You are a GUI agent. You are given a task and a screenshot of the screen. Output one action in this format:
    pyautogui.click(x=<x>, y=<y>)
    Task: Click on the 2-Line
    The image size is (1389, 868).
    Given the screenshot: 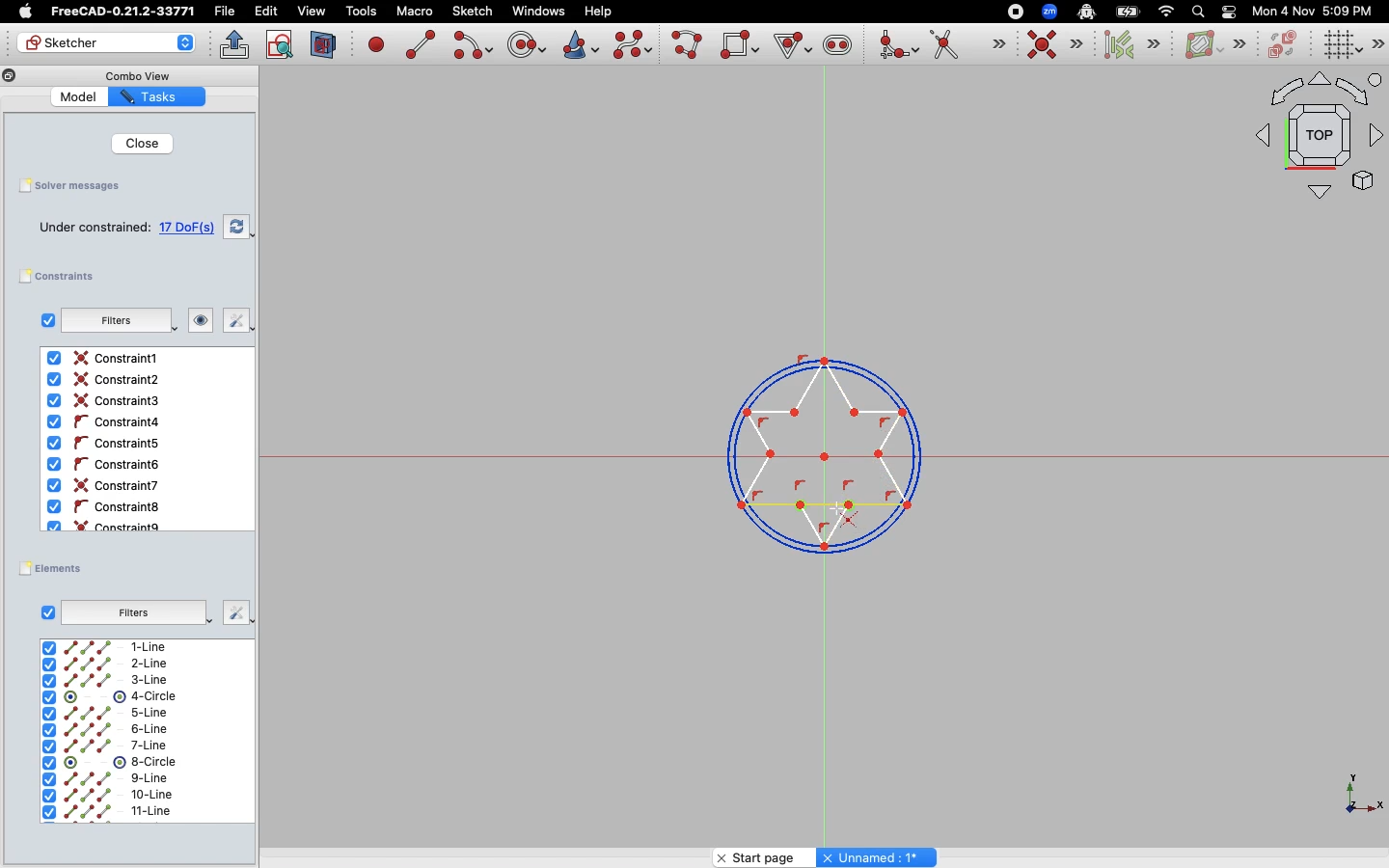 What is the action you would take?
    pyautogui.click(x=118, y=664)
    